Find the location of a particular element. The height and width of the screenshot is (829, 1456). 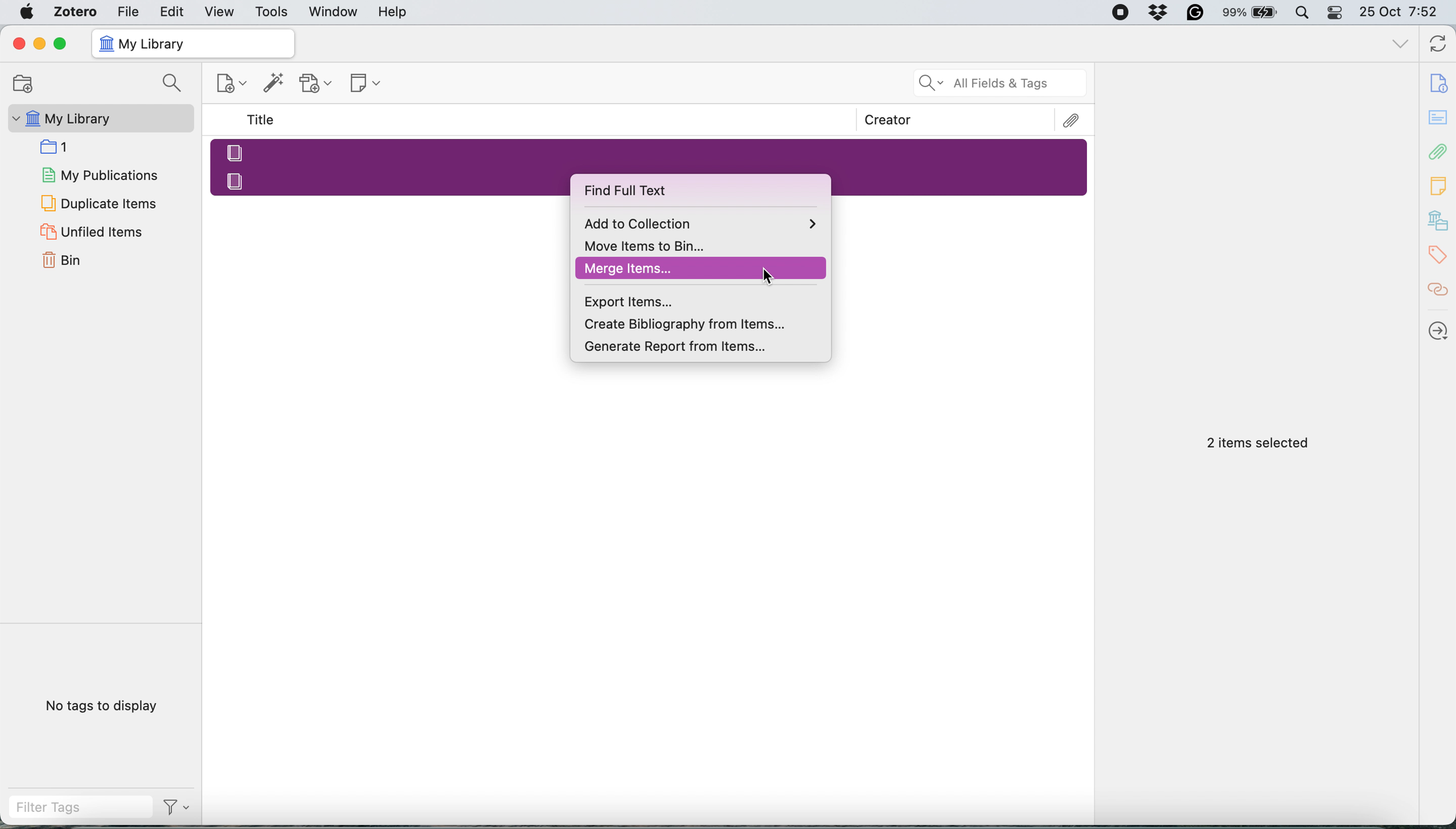

Filter Tags is located at coordinates (80, 807).